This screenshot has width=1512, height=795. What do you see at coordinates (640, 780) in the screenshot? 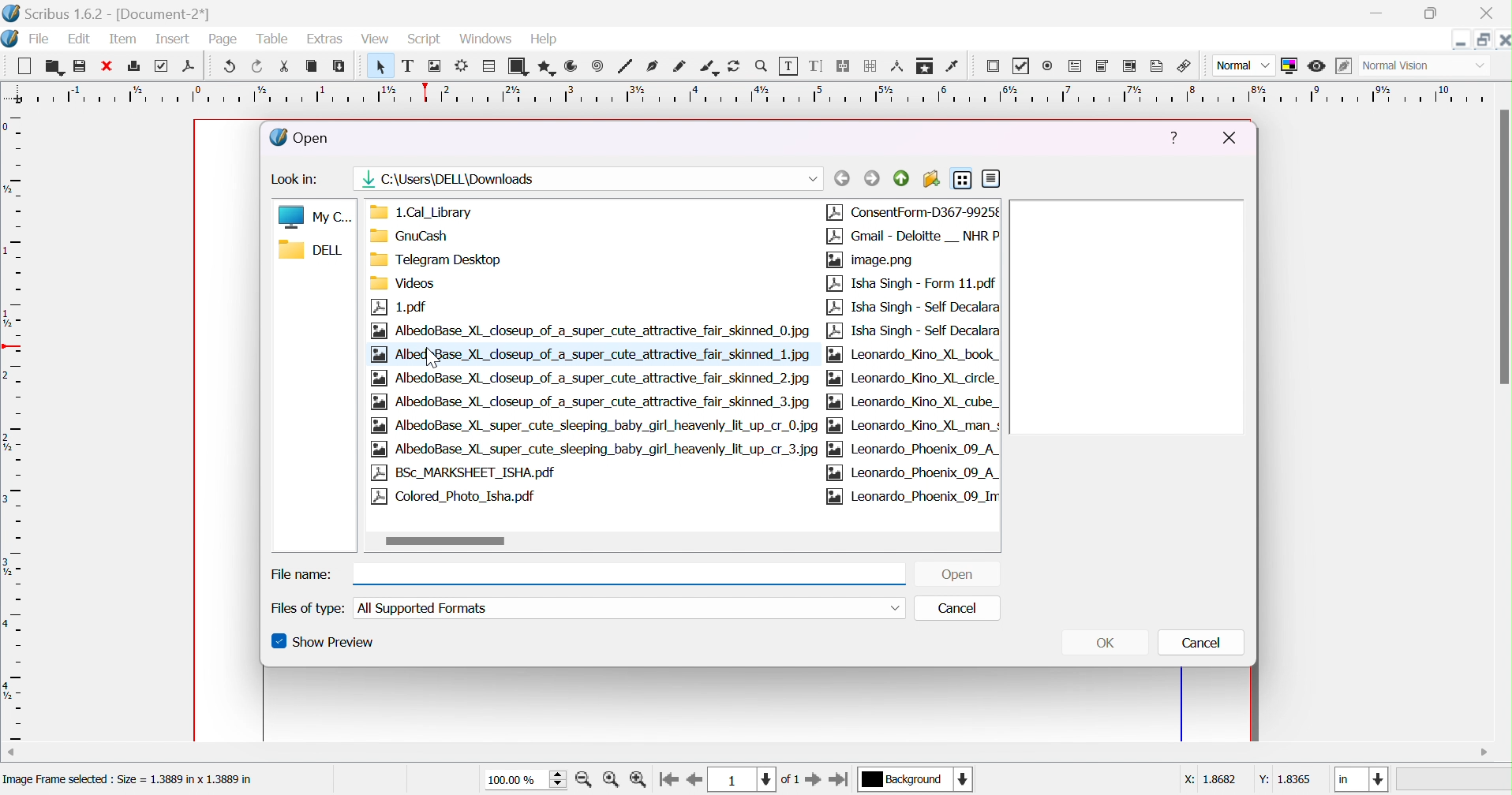
I see `zoom out` at bounding box center [640, 780].